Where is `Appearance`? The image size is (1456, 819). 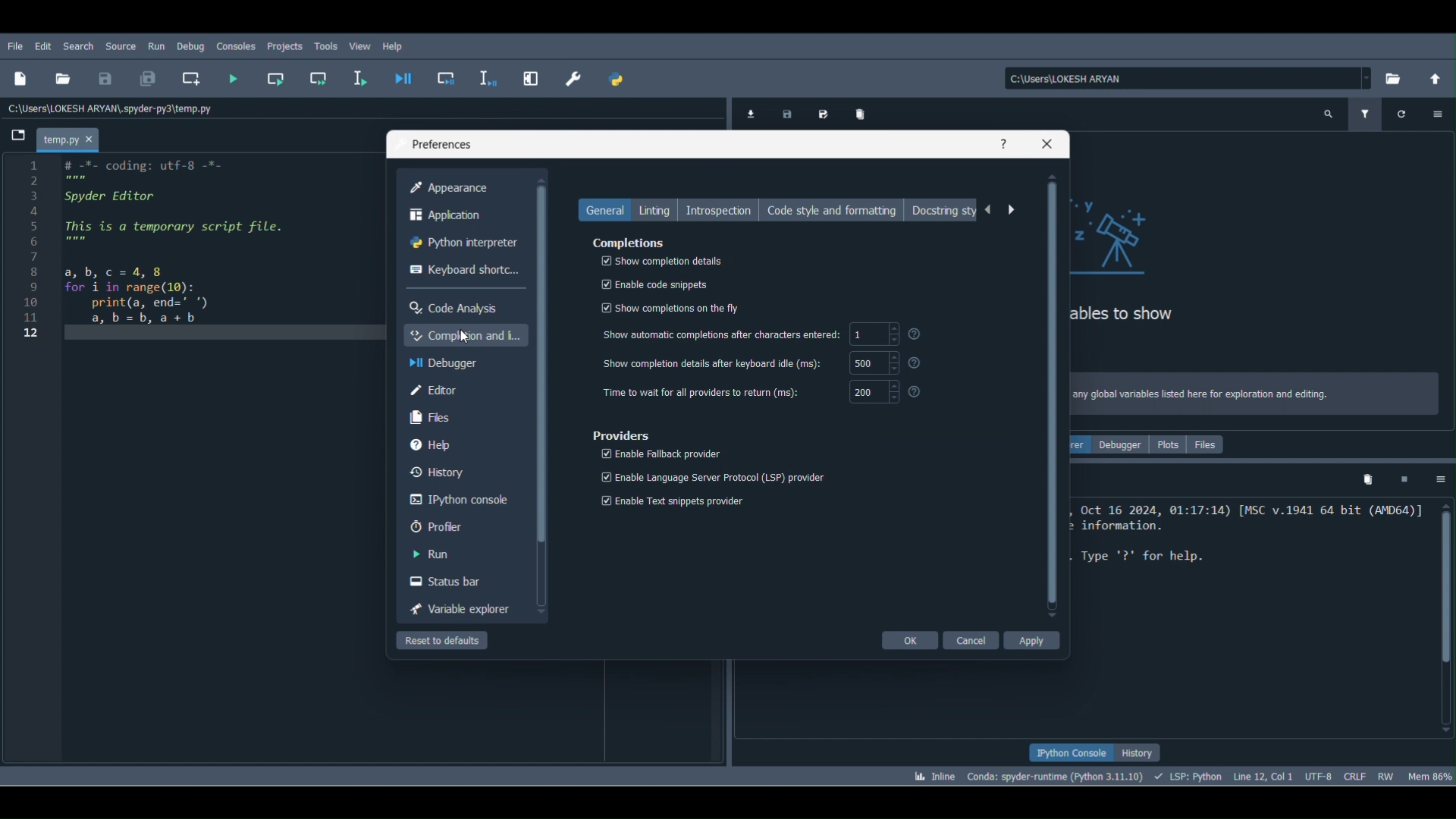
Appearance is located at coordinates (463, 188).